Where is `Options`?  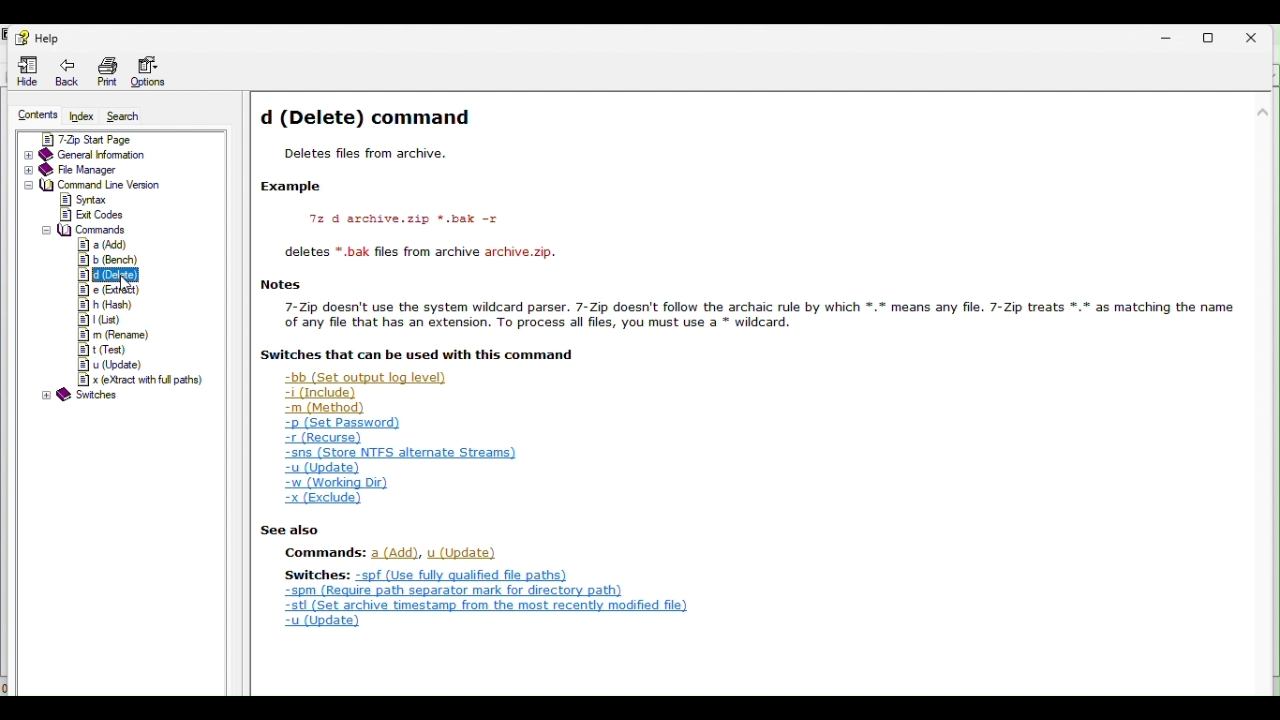 Options is located at coordinates (153, 73).